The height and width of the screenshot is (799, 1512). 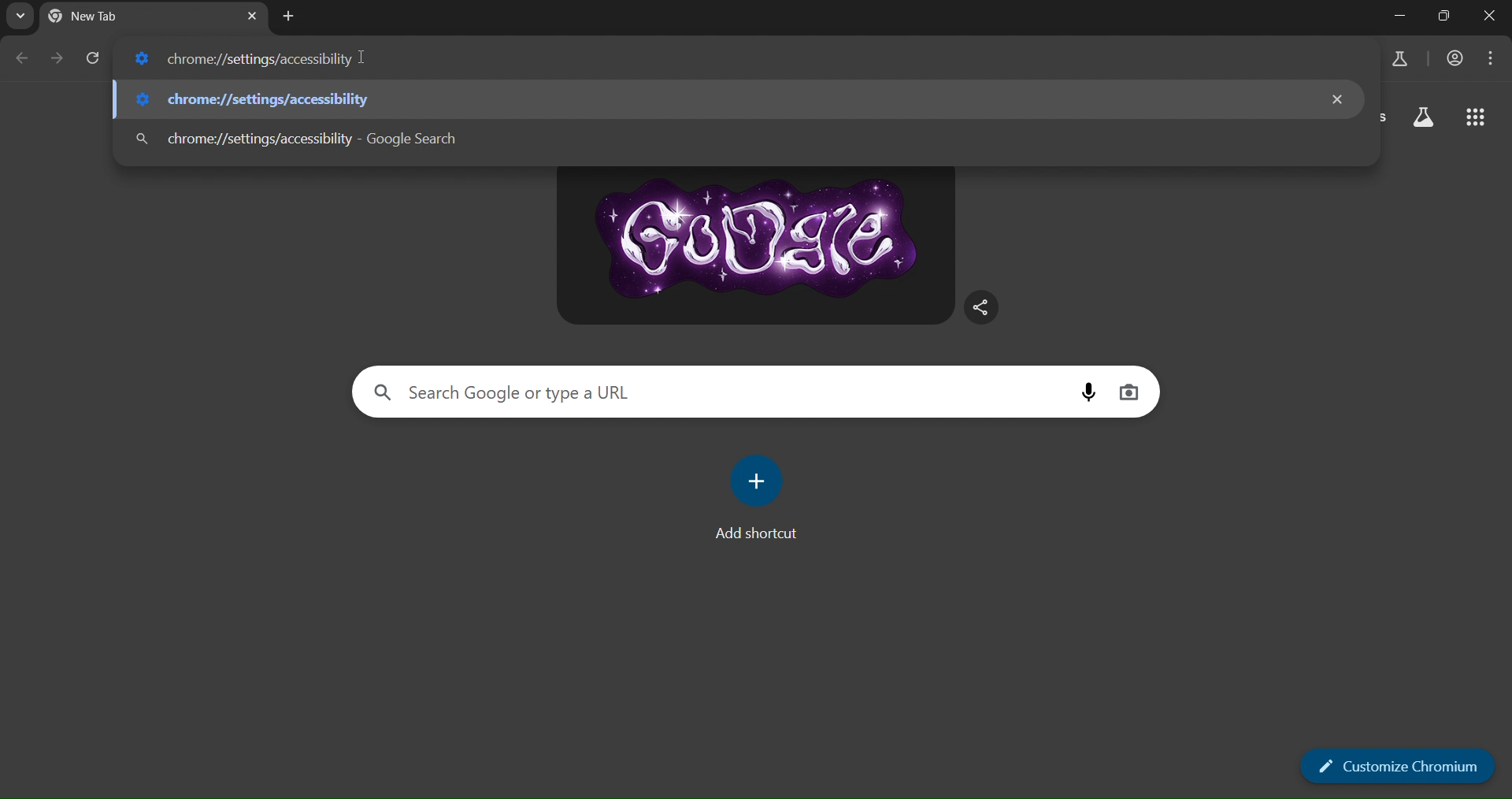 What do you see at coordinates (1484, 21) in the screenshot?
I see `close` at bounding box center [1484, 21].